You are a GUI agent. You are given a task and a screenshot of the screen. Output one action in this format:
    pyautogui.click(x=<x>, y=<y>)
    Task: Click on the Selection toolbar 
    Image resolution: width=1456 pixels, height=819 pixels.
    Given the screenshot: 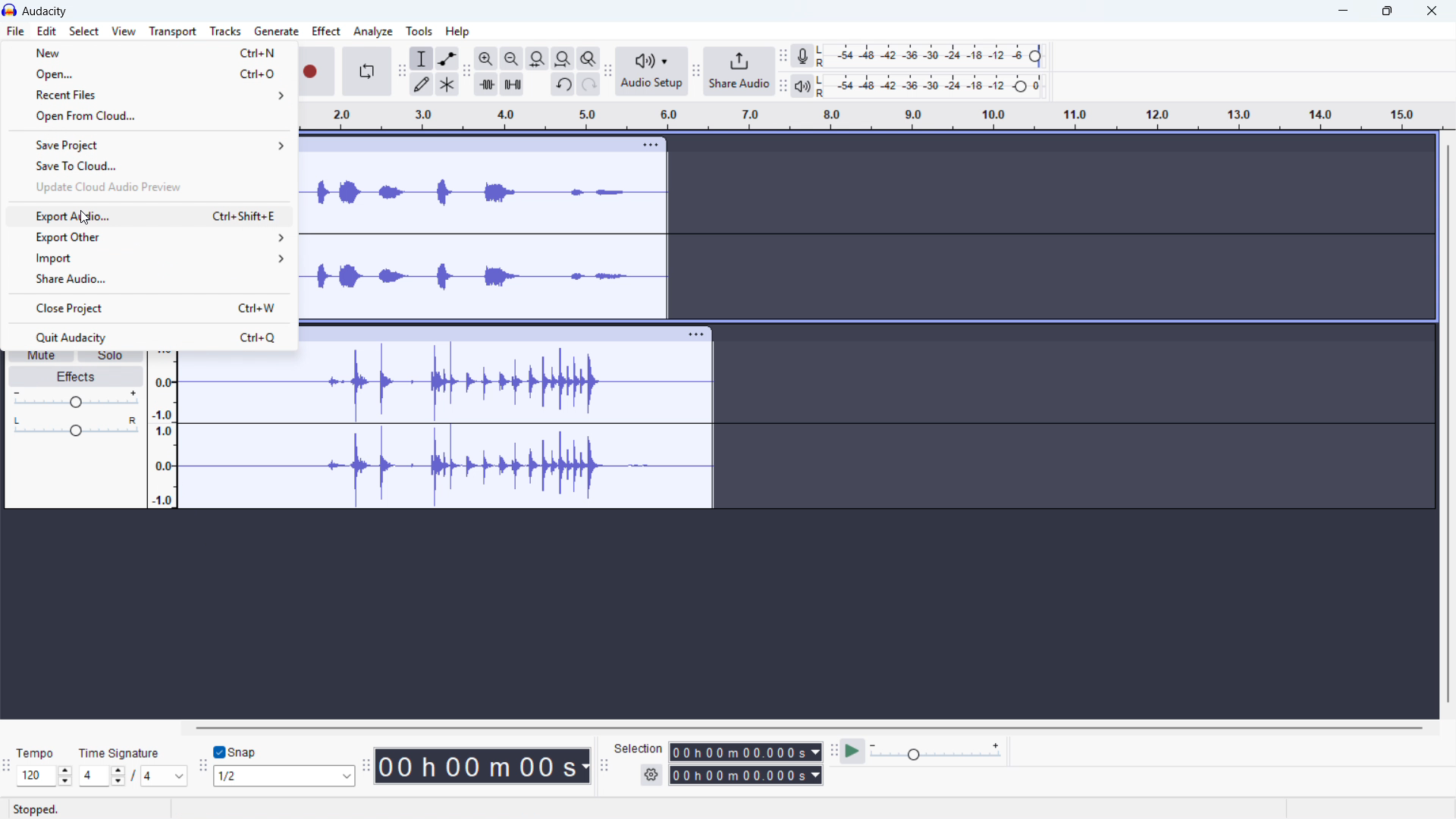 What is the action you would take?
    pyautogui.click(x=603, y=767)
    